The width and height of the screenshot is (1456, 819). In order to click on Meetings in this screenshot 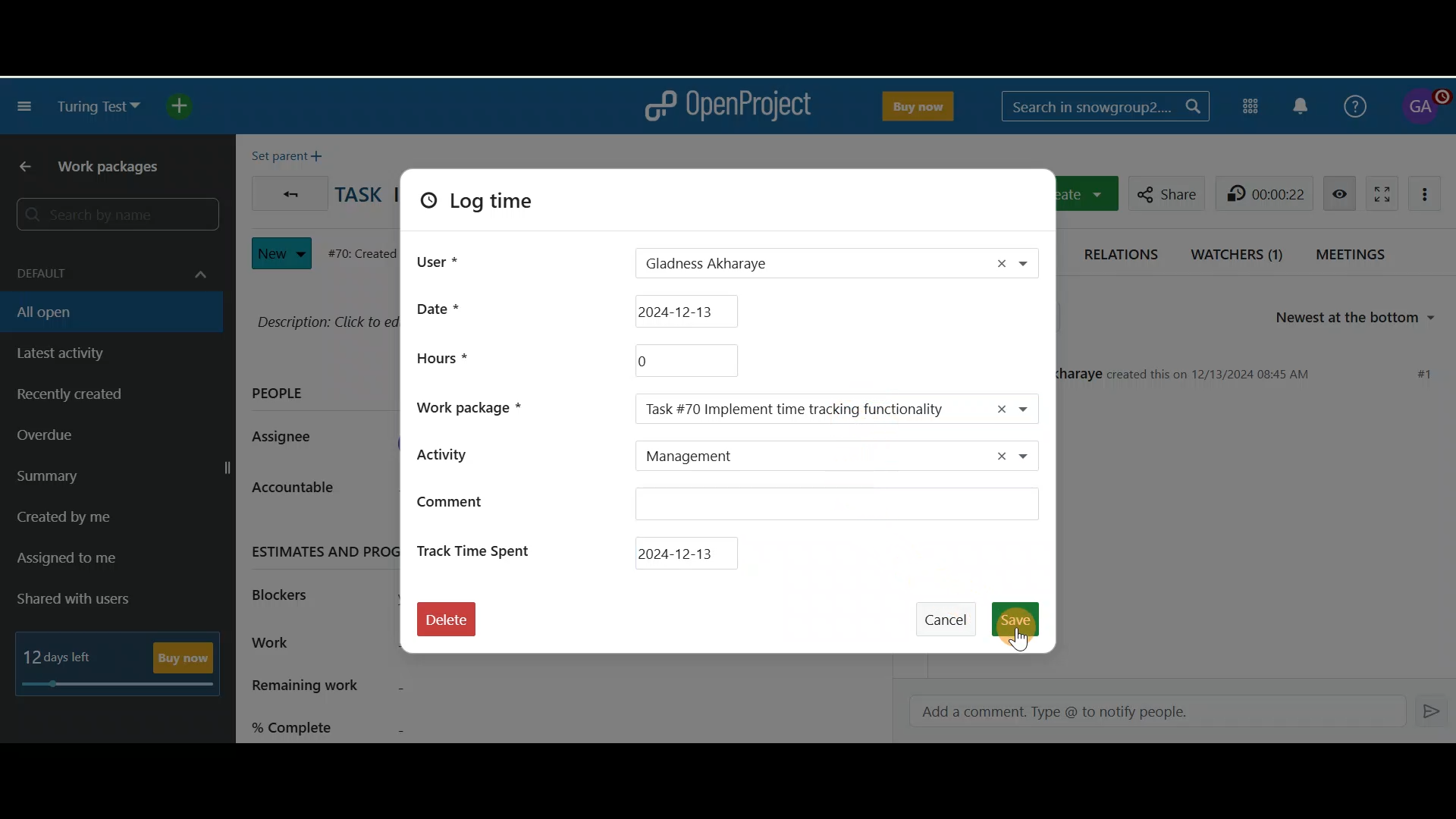, I will do `click(1356, 253)`.